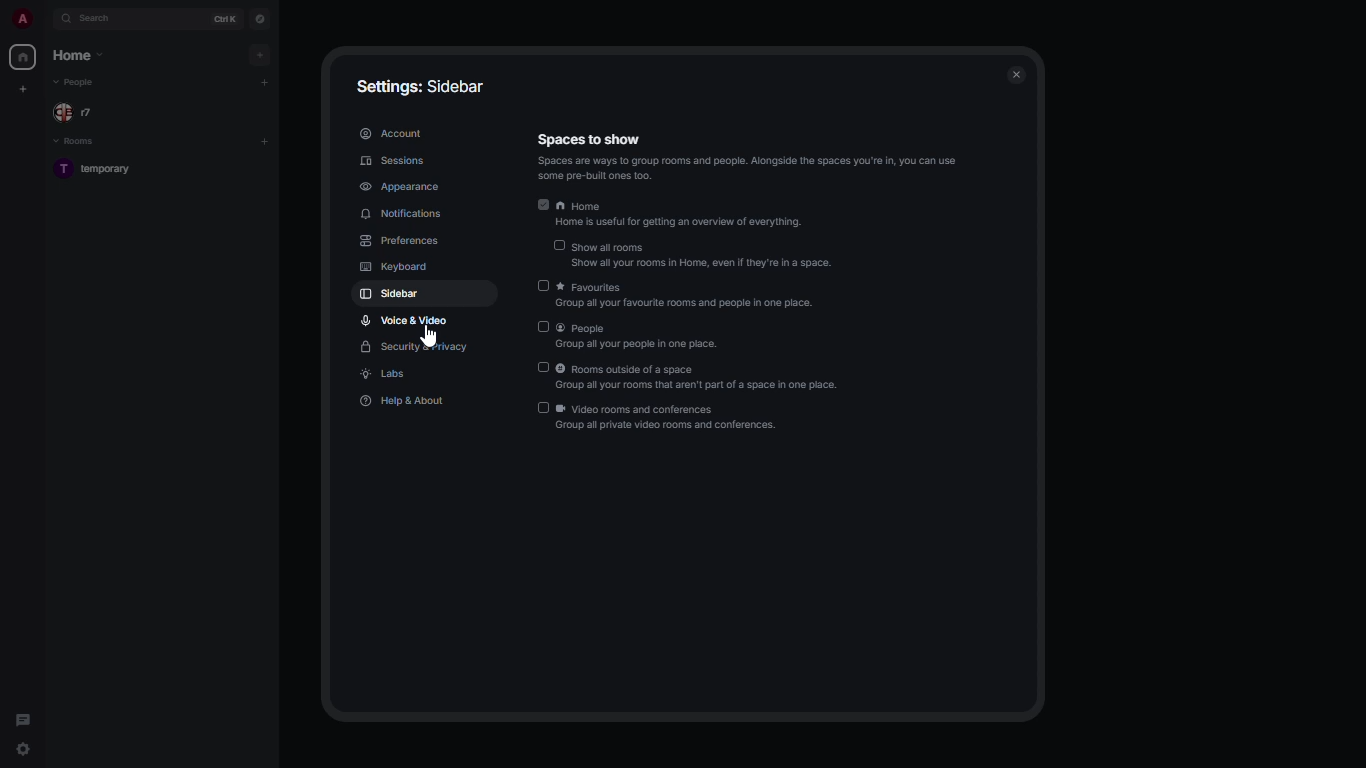 The image size is (1366, 768). I want to click on enabled, so click(540, 204).